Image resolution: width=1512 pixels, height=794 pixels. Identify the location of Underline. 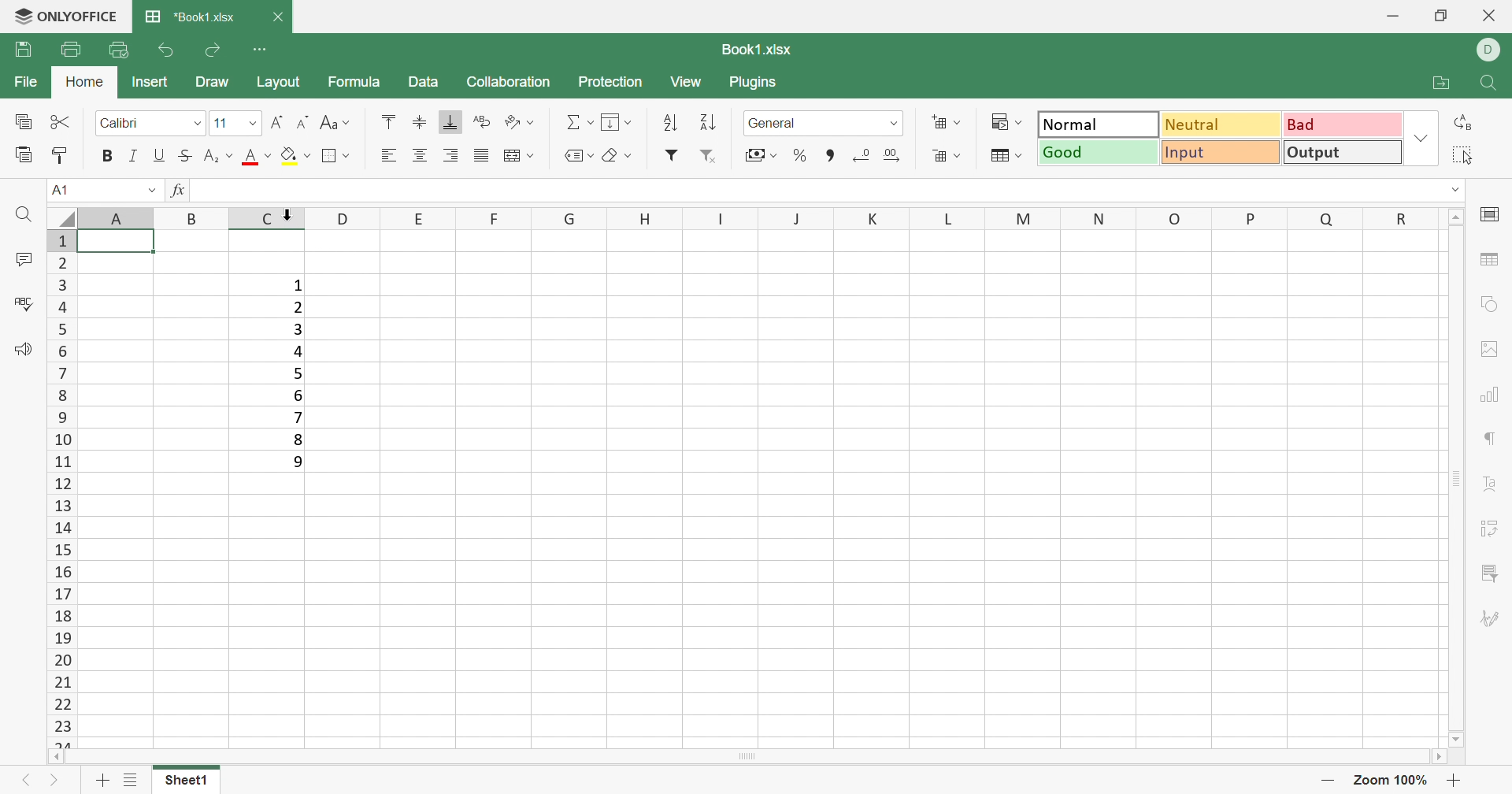
(159, 155).